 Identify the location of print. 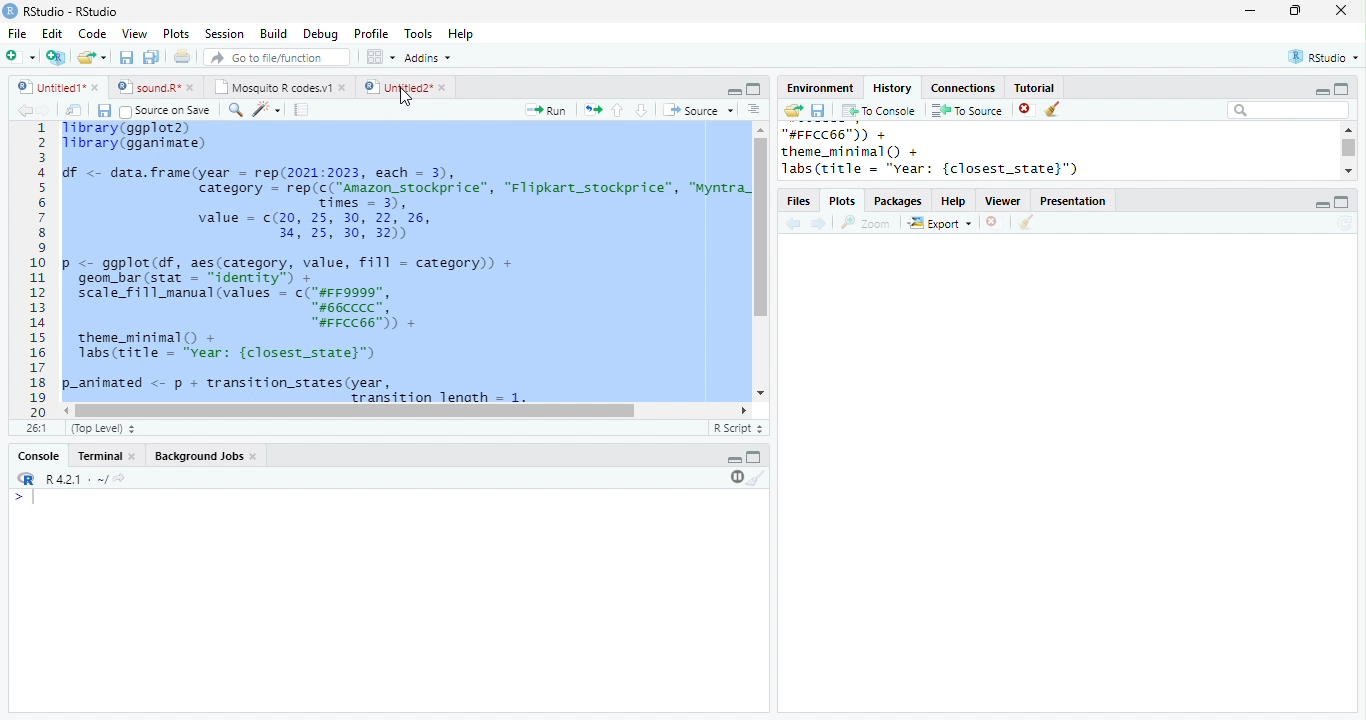
(181, 56).